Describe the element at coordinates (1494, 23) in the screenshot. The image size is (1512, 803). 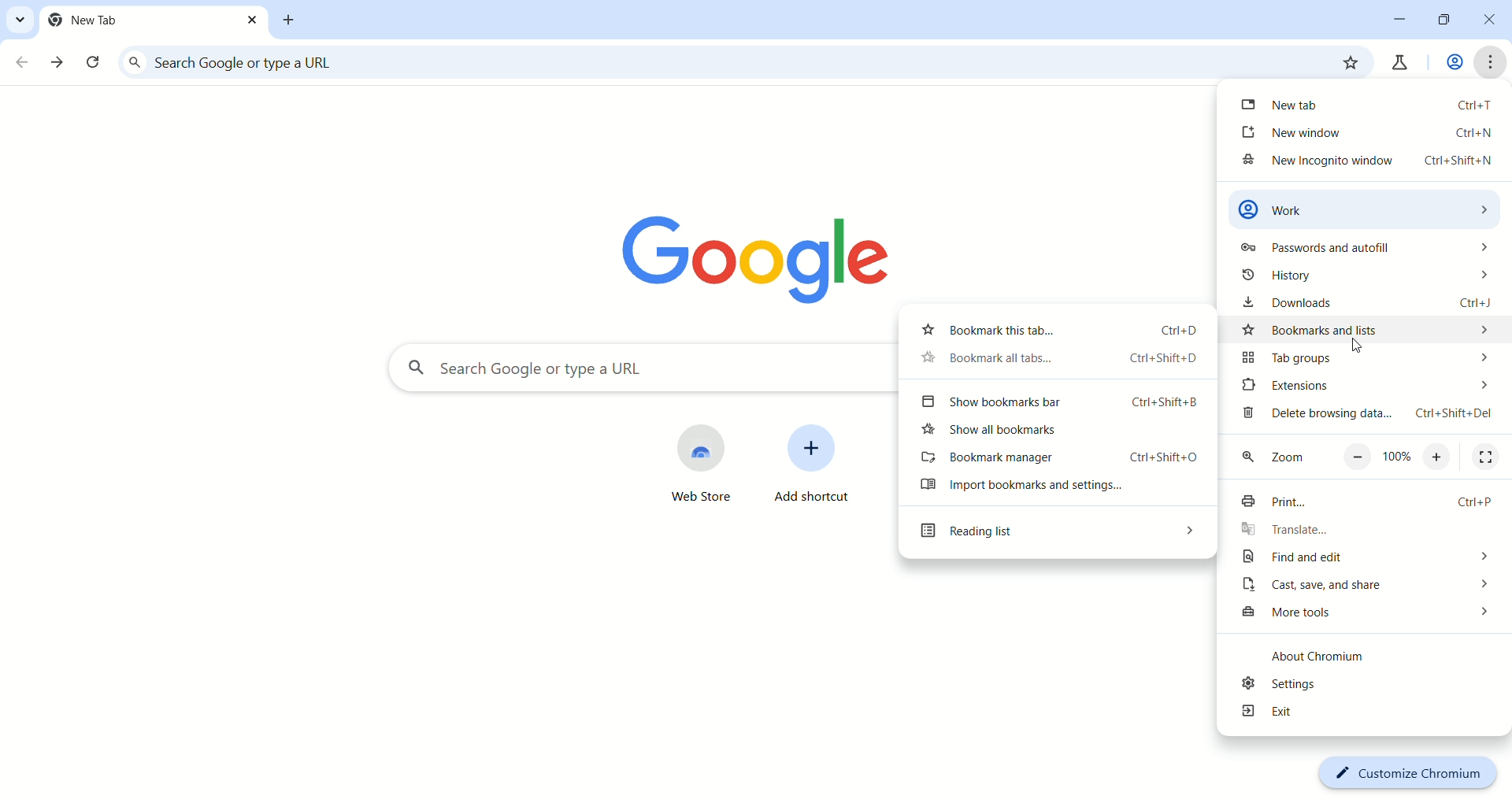
I see `close` at that location.